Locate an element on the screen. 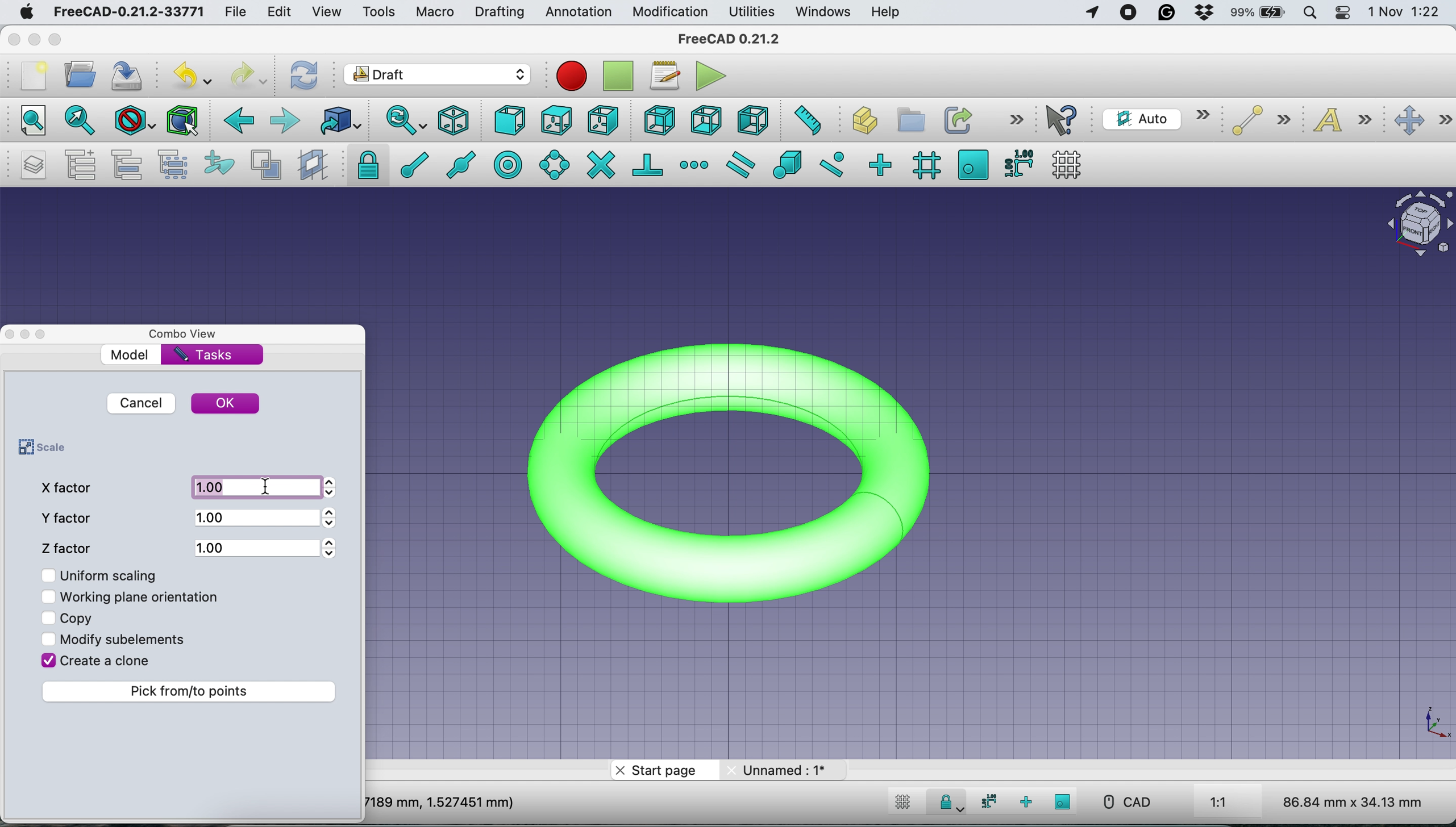 The width and height of the screenshot is (1456, 827). snap angle is located at coordinates (555, 164).